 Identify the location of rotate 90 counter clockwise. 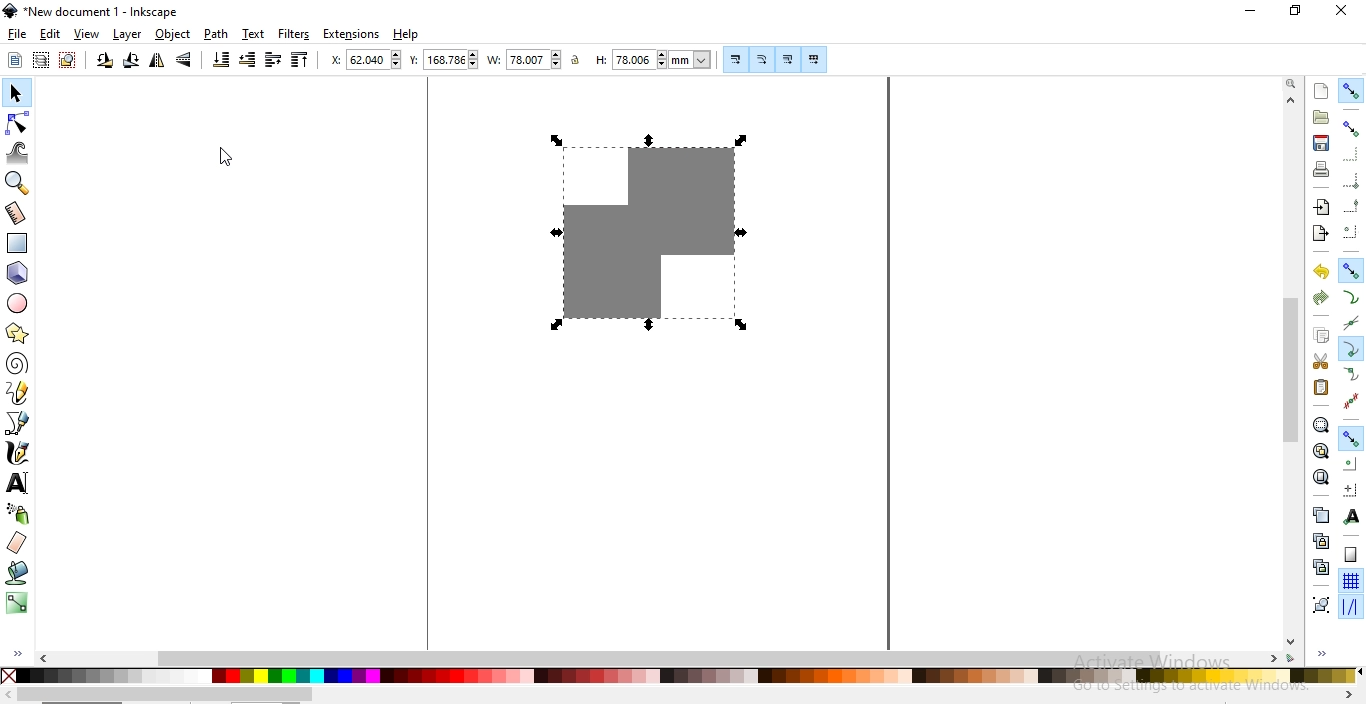
(105, 62).